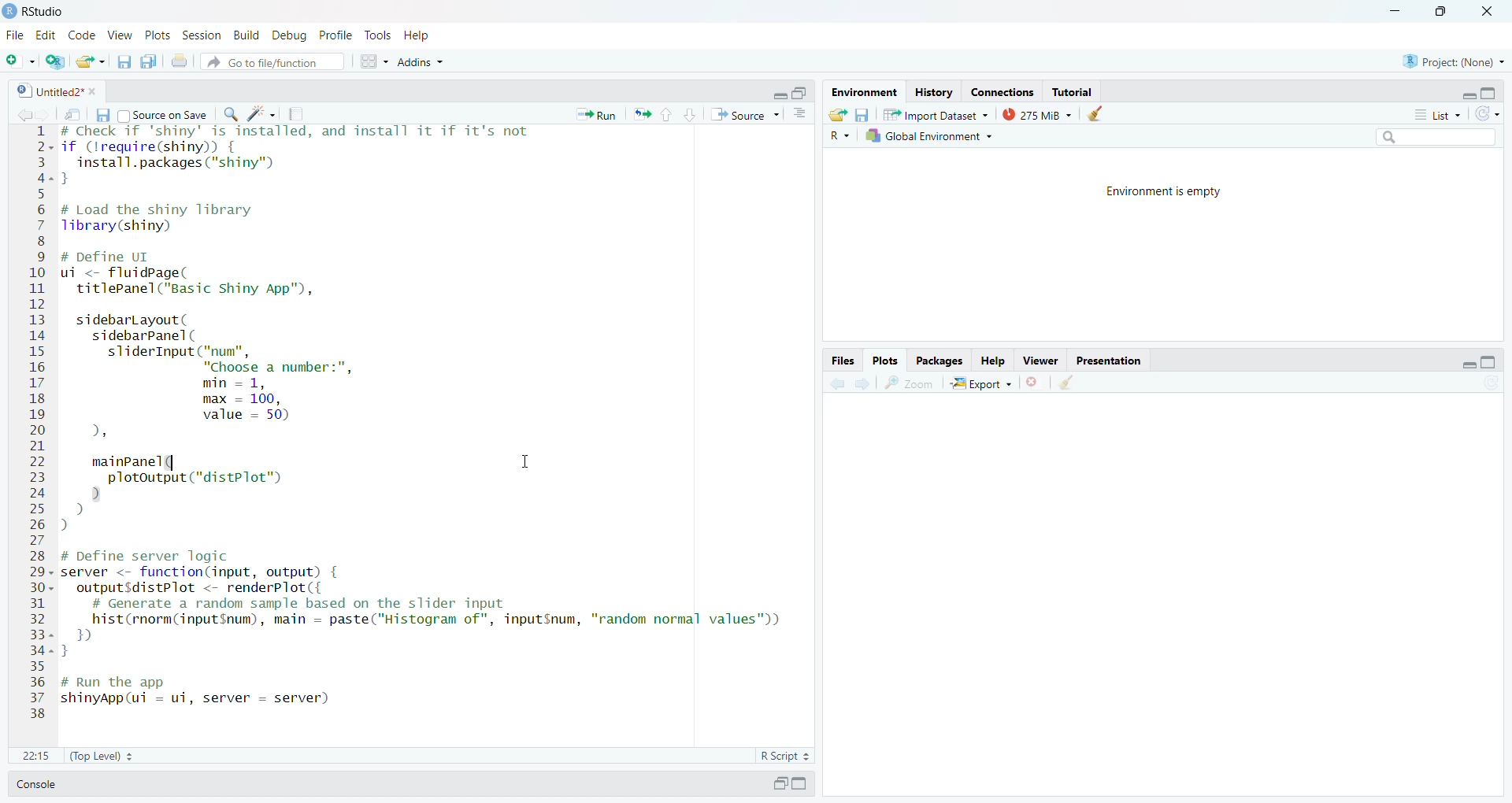  I want to click on back, so click(839, 382).